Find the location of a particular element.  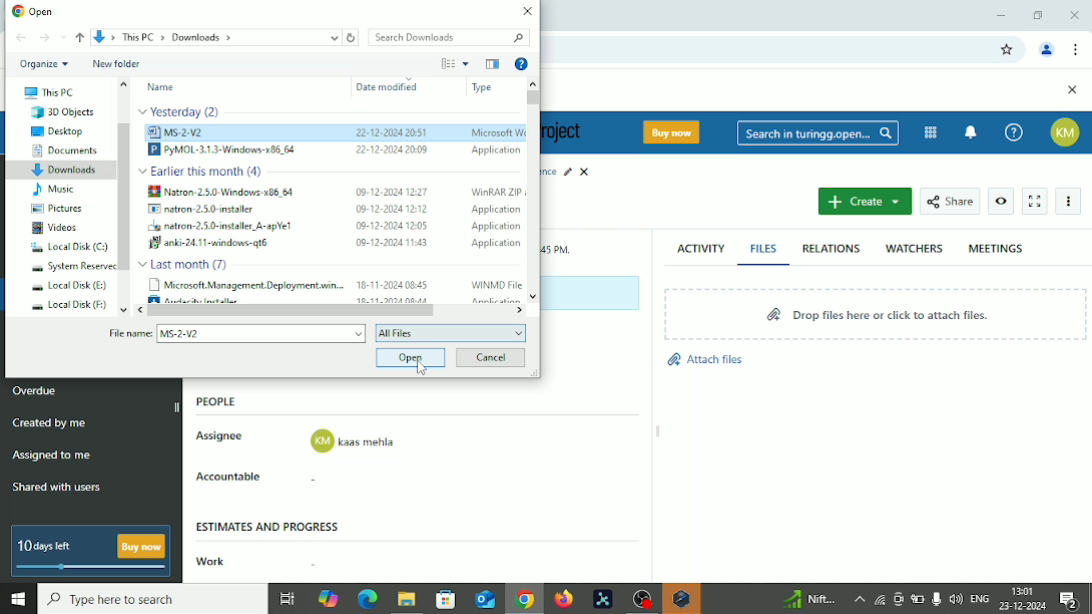

All files is located at coordinates (452, 333).